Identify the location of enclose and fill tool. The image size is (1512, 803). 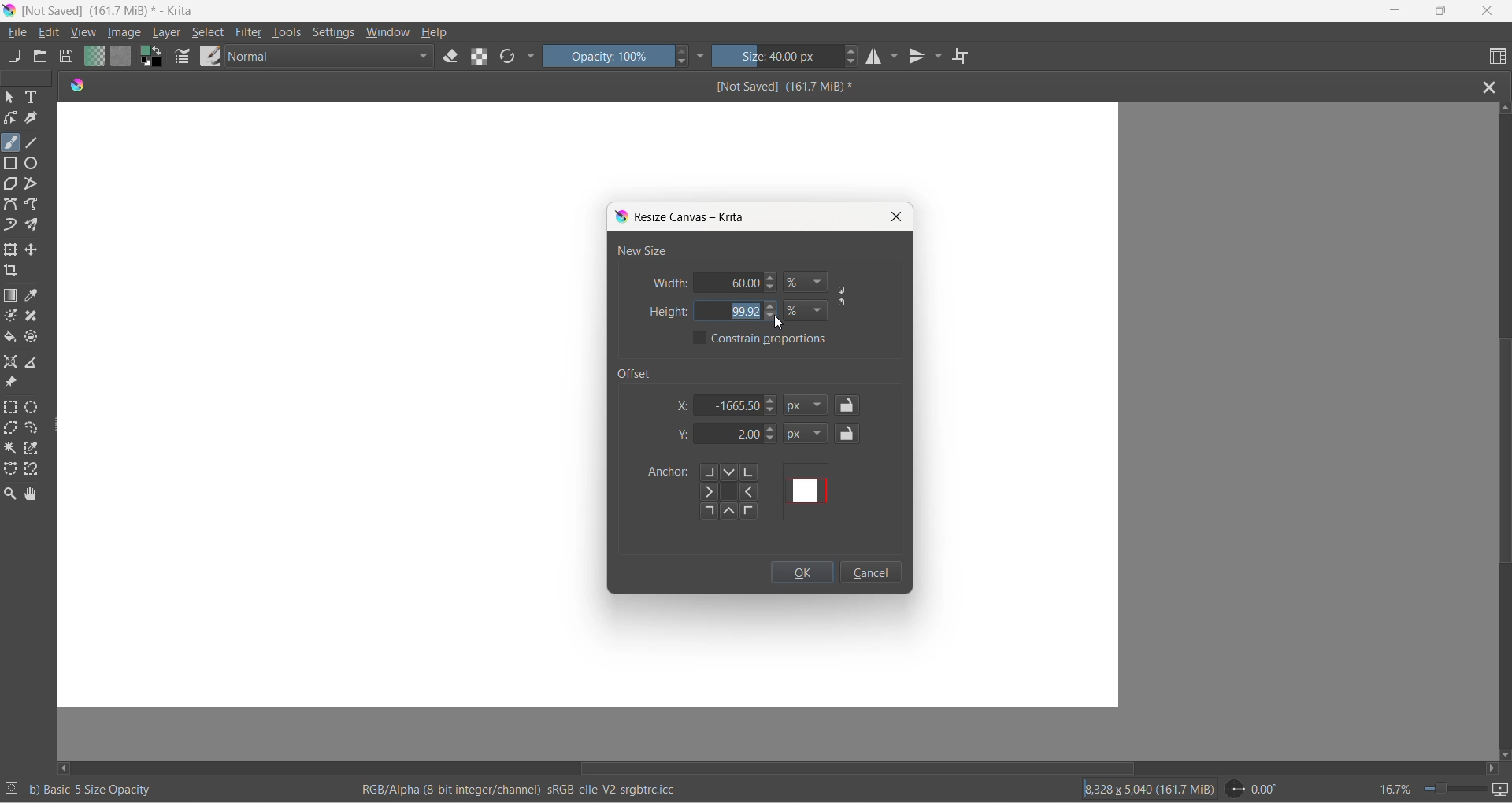
(30, 340).